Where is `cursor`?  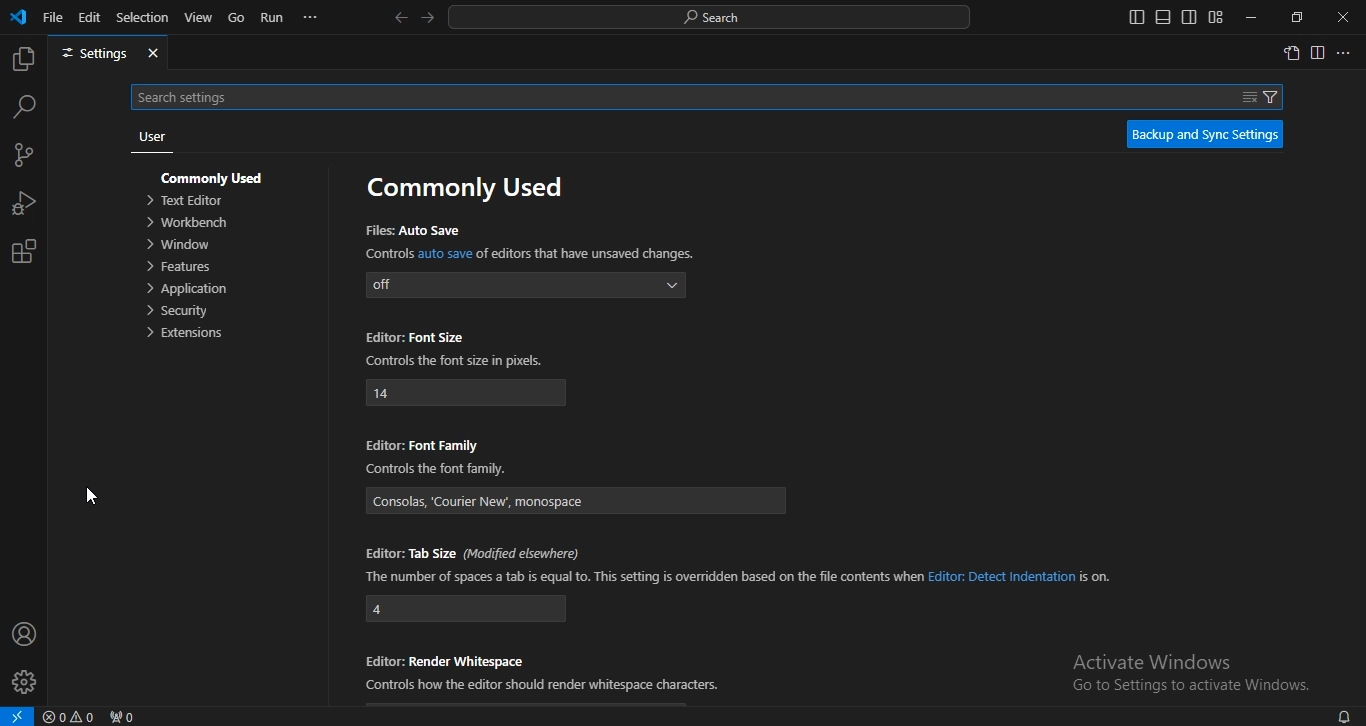
cursor is located at coordinates (89, 498).